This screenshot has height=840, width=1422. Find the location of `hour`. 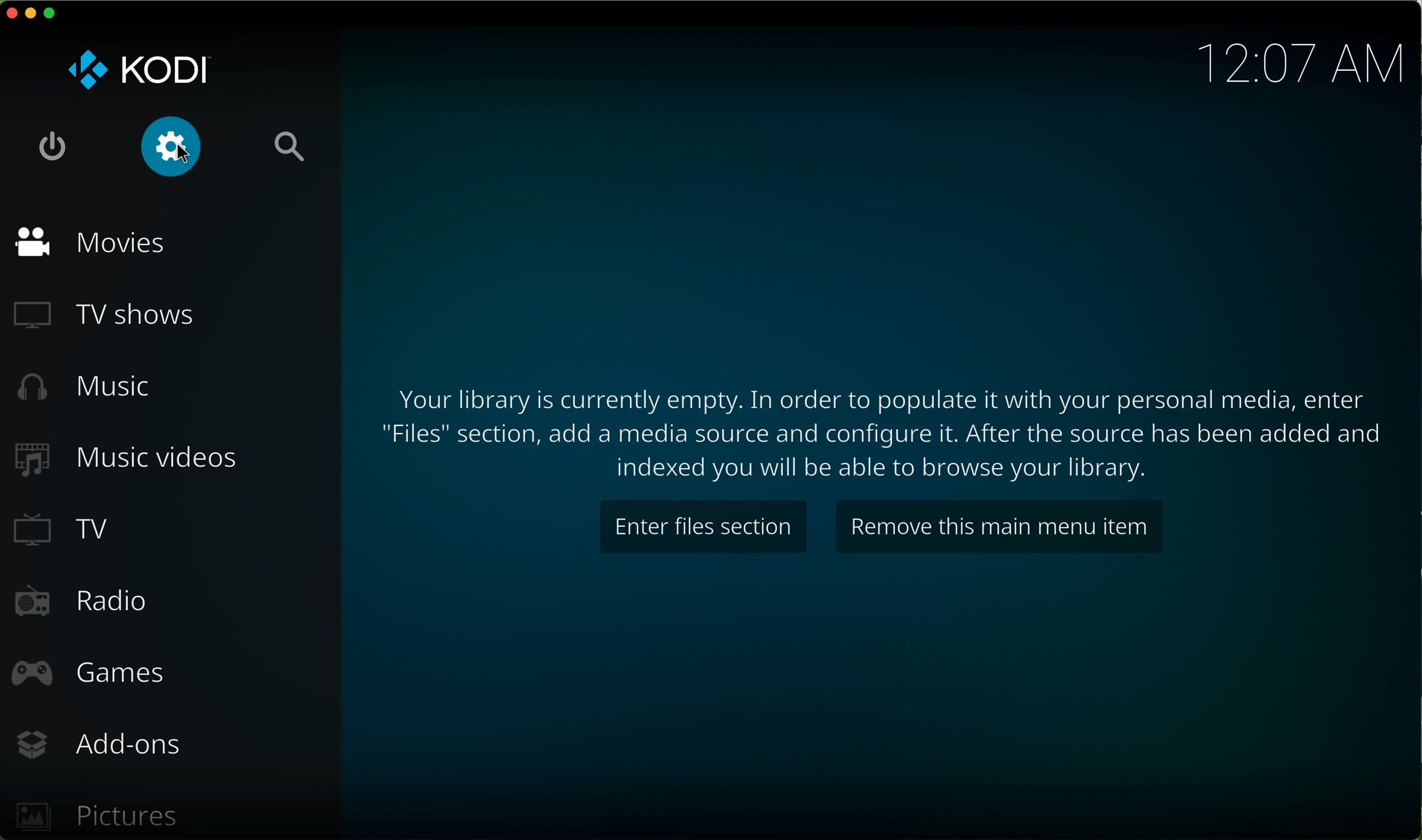

hour is located at coordinates (1297, 63).